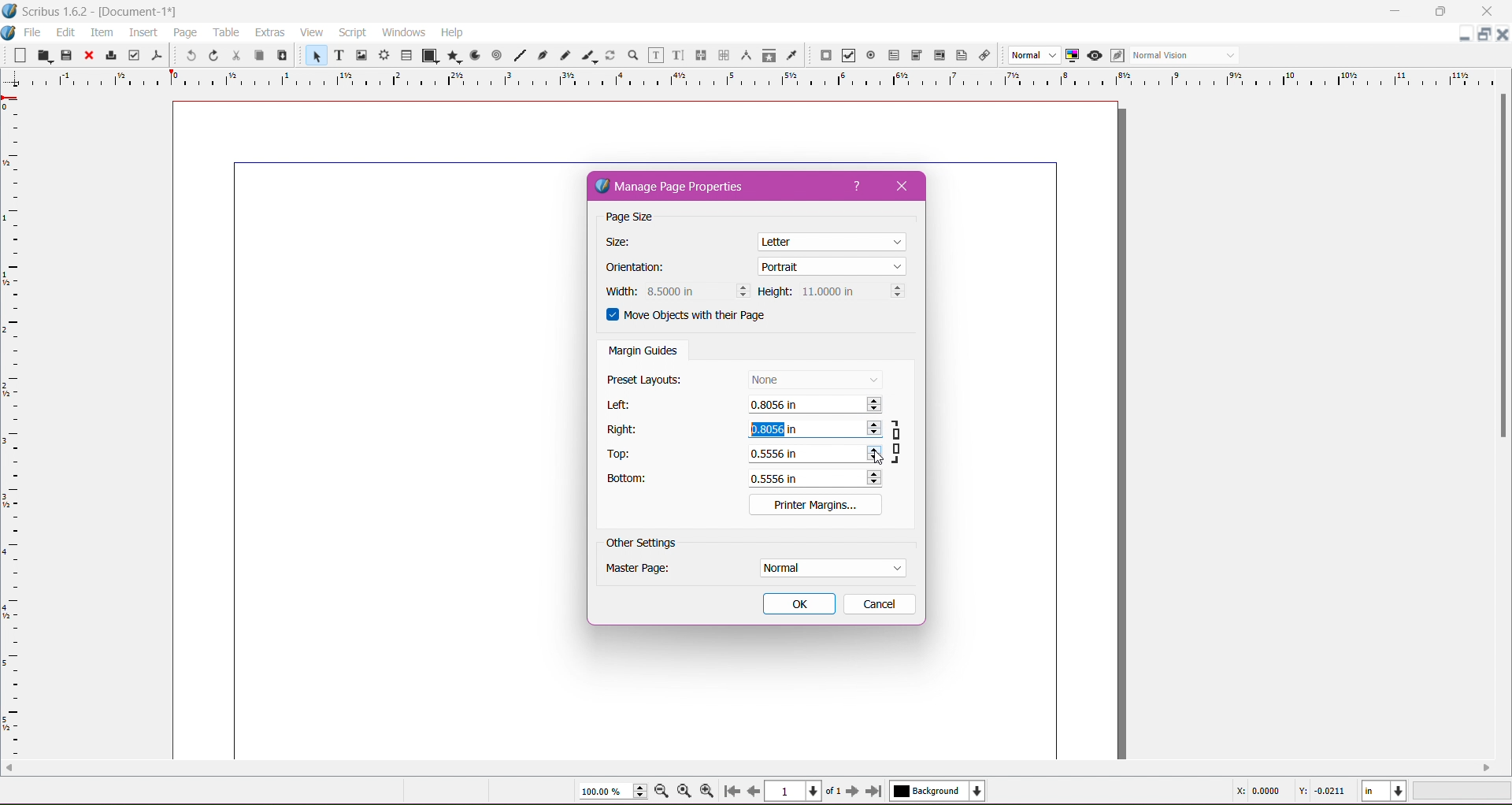  I want to click on Height, so click(775, 292).